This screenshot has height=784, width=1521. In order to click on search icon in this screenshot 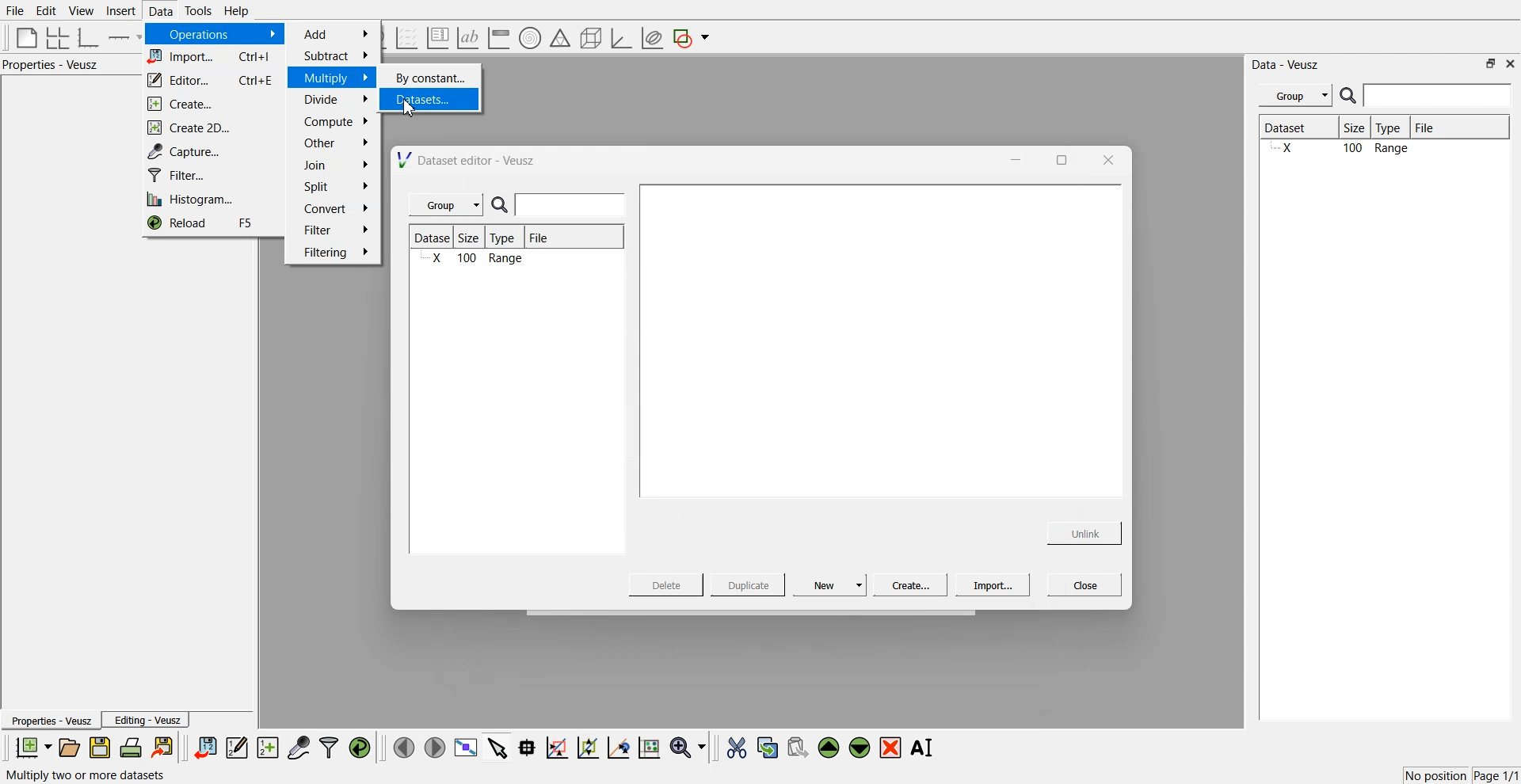, I will do `click(1350, 95)`.